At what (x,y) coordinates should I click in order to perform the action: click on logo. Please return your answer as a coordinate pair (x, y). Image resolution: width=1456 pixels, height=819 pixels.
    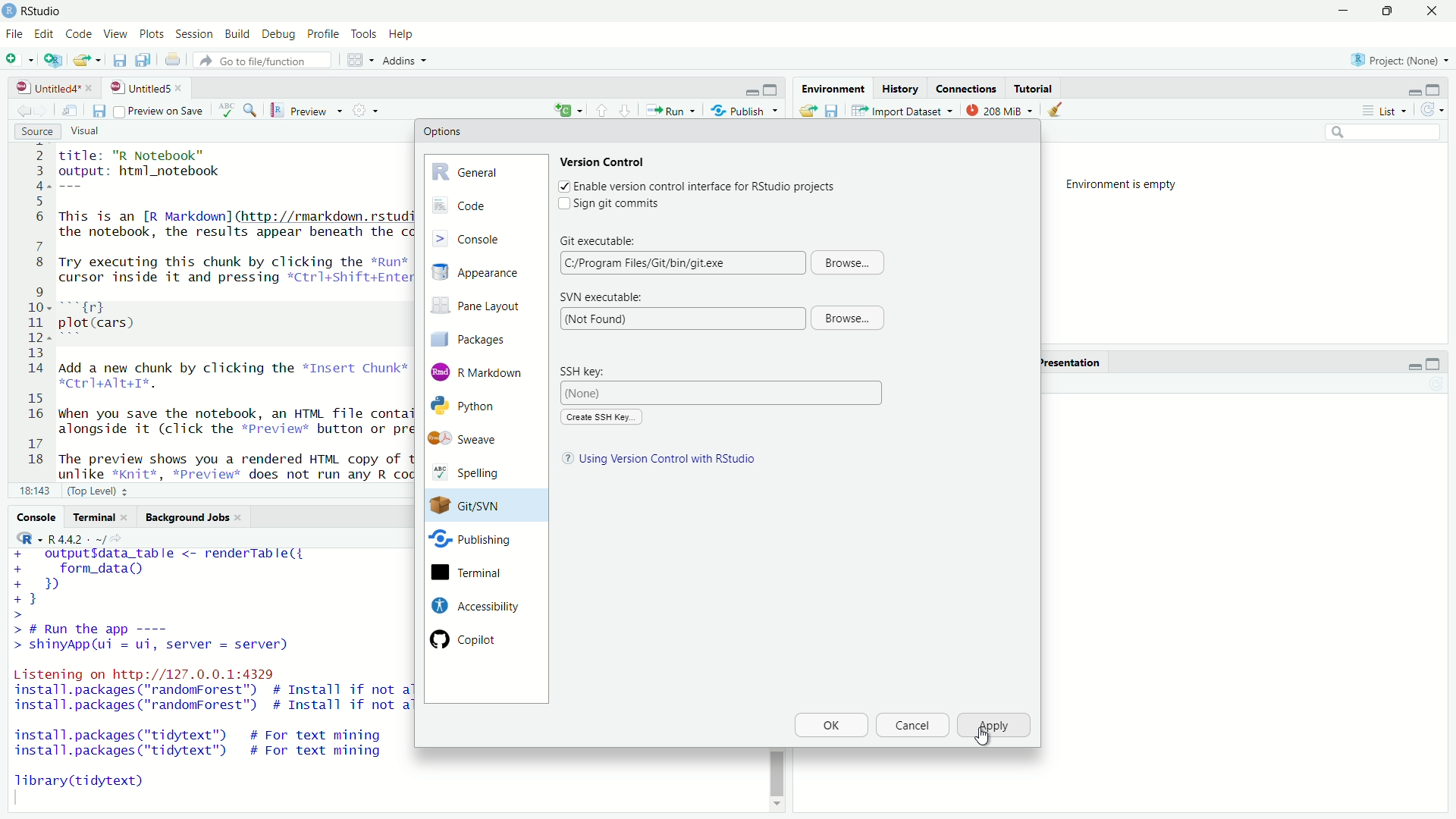
    Looking at the image, I should click on (11, 11).